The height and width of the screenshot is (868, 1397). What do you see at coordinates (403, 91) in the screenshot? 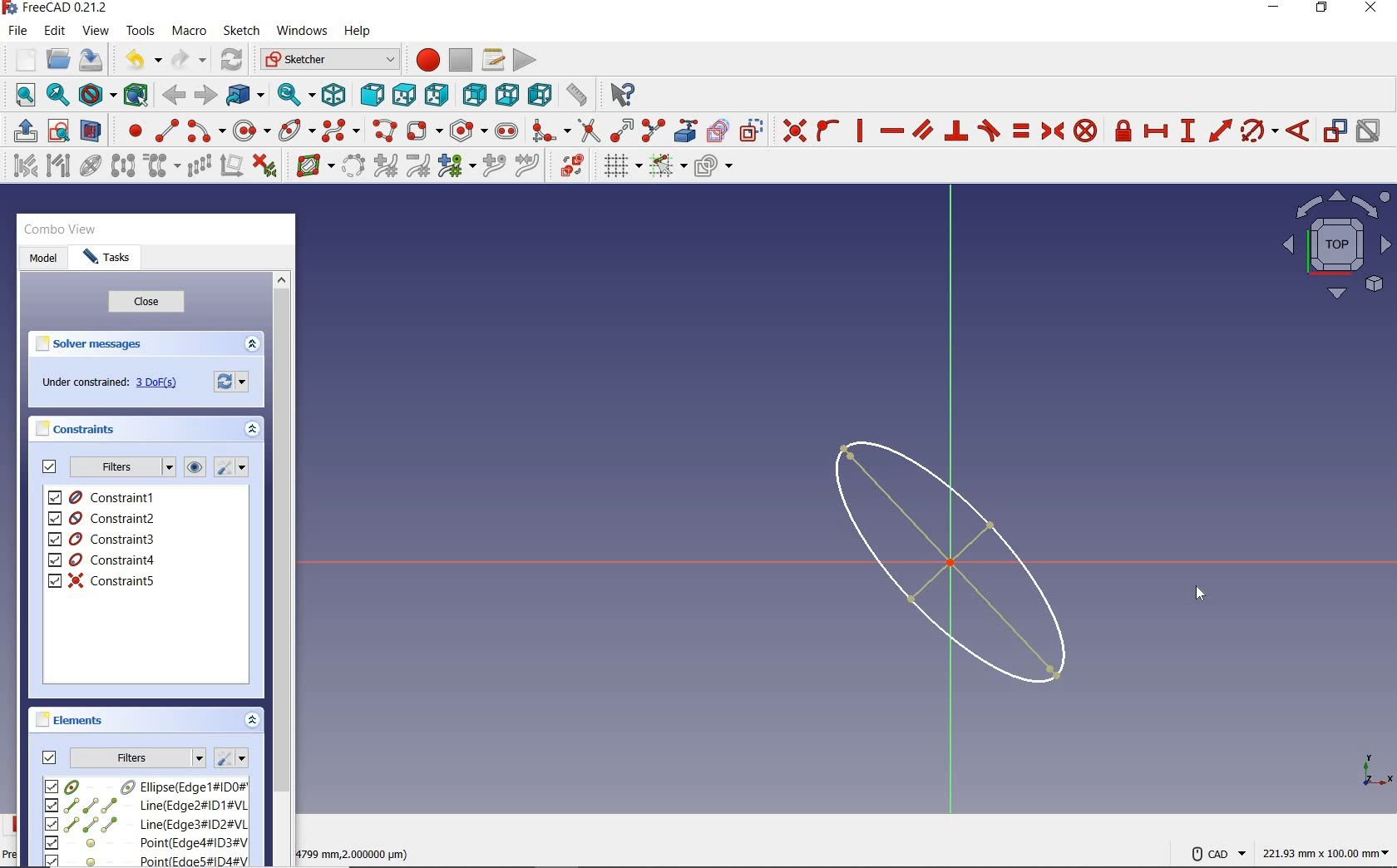
I see `top` at bounding box center [403, 91].